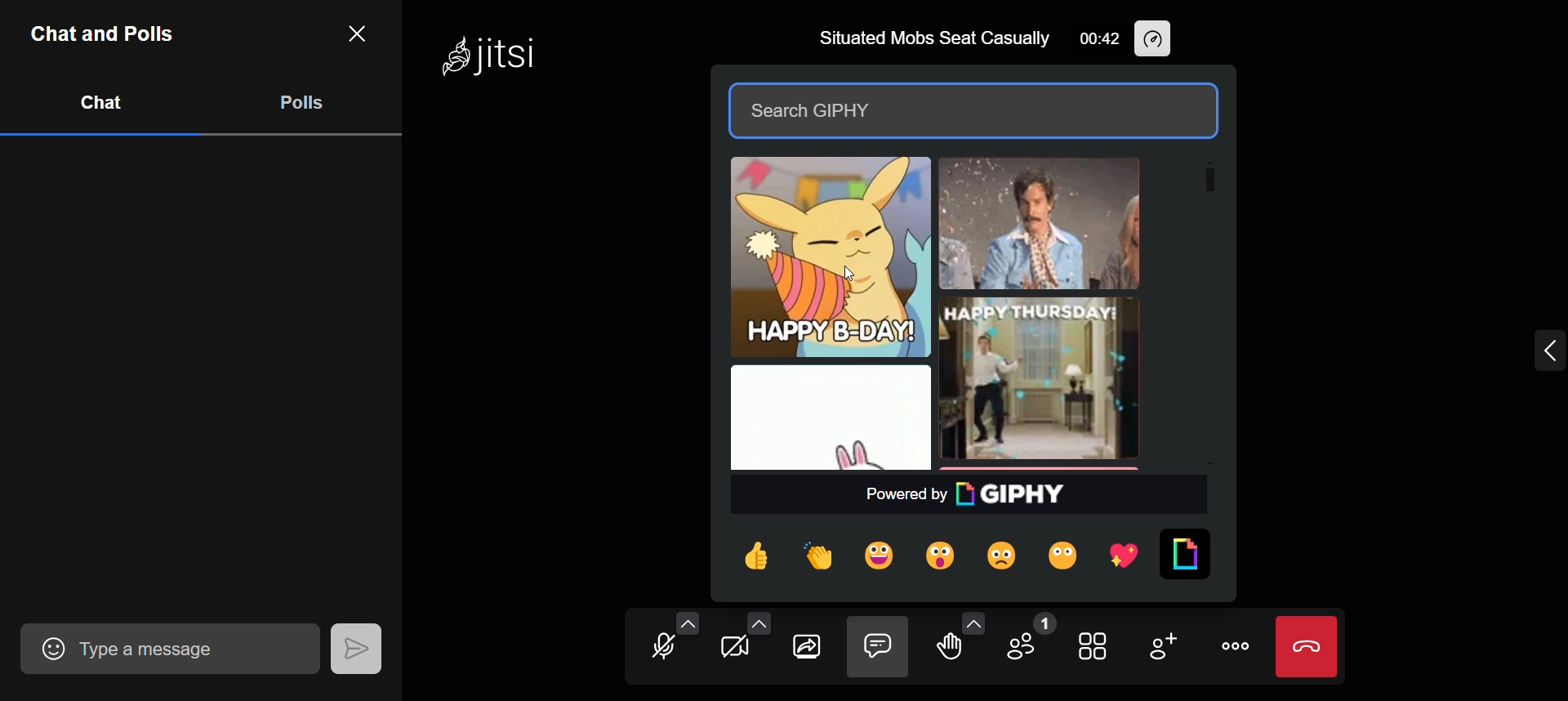  What do you see at coordinates (951, 654) in the screenshot?
I see `raise your hand` at bounding box center [951, 654].